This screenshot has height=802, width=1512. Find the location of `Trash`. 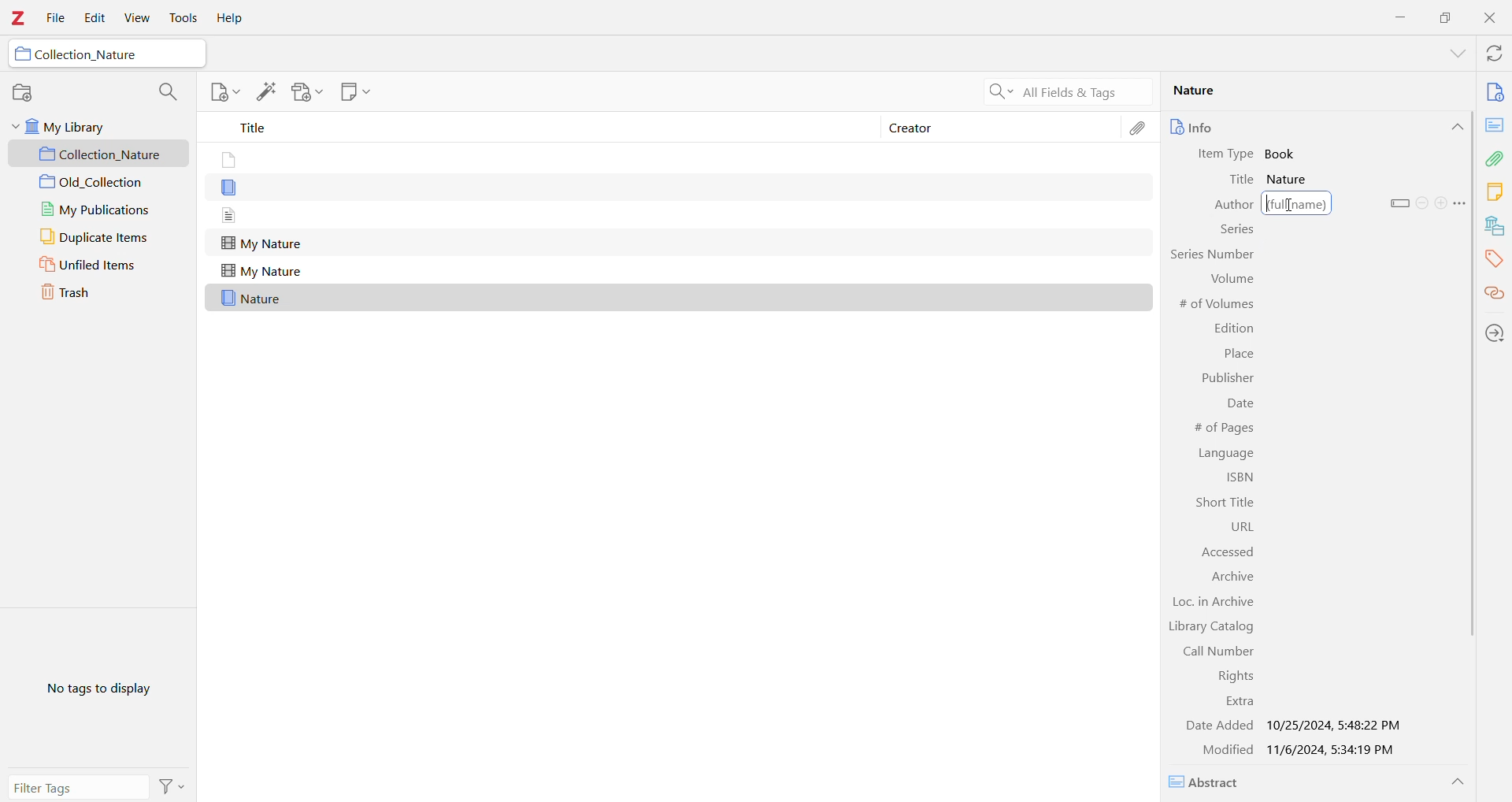

Trash is located at coordinates (84, 291).